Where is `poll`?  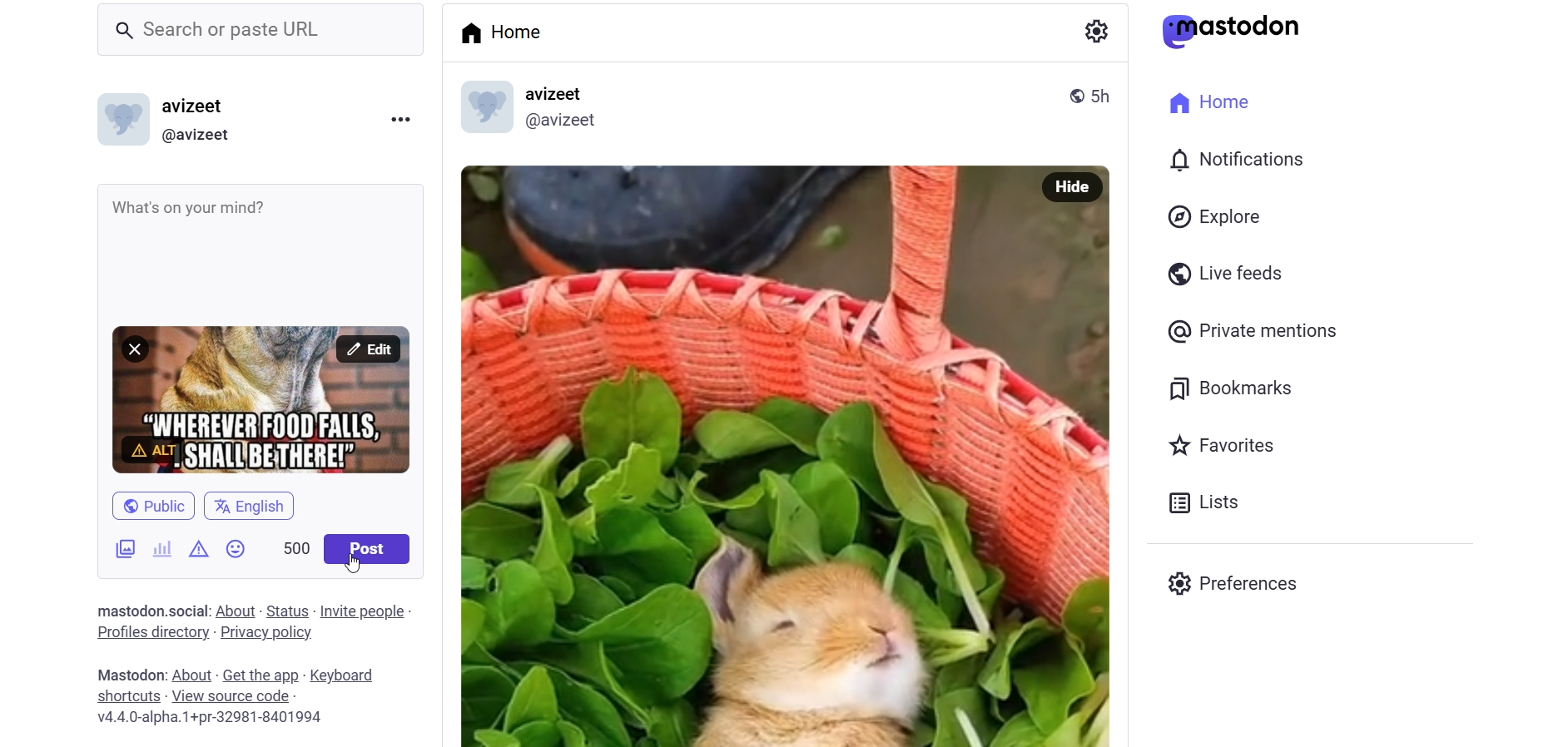
poll is located at coordinates (161, 548).